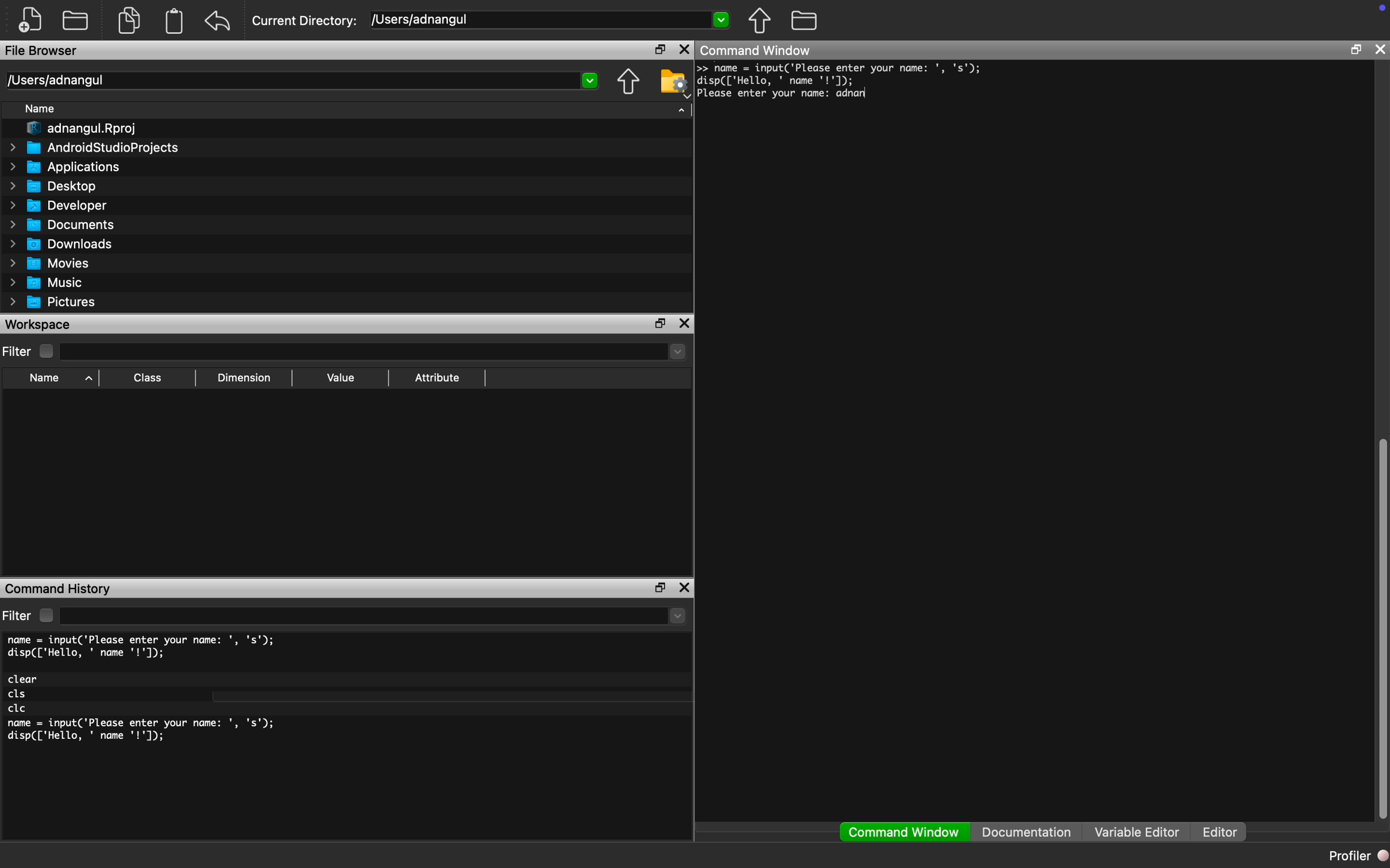  What do you see at coordinates (782, 94) in the screenshot?
I see `Please enter your name: adnan` at bounding box center [782, 94].